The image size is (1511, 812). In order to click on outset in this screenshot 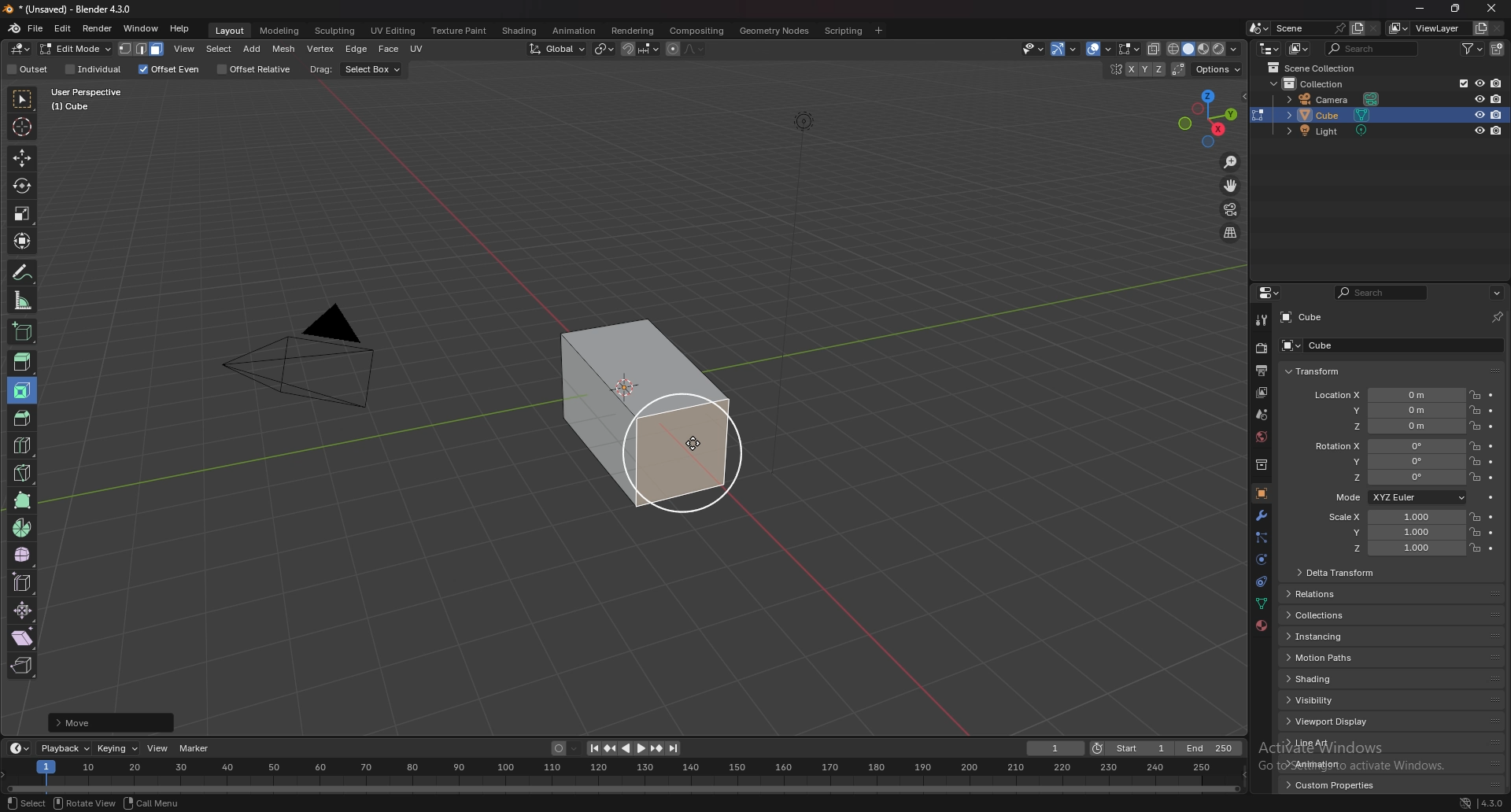, I will do `click(28, 69)`.